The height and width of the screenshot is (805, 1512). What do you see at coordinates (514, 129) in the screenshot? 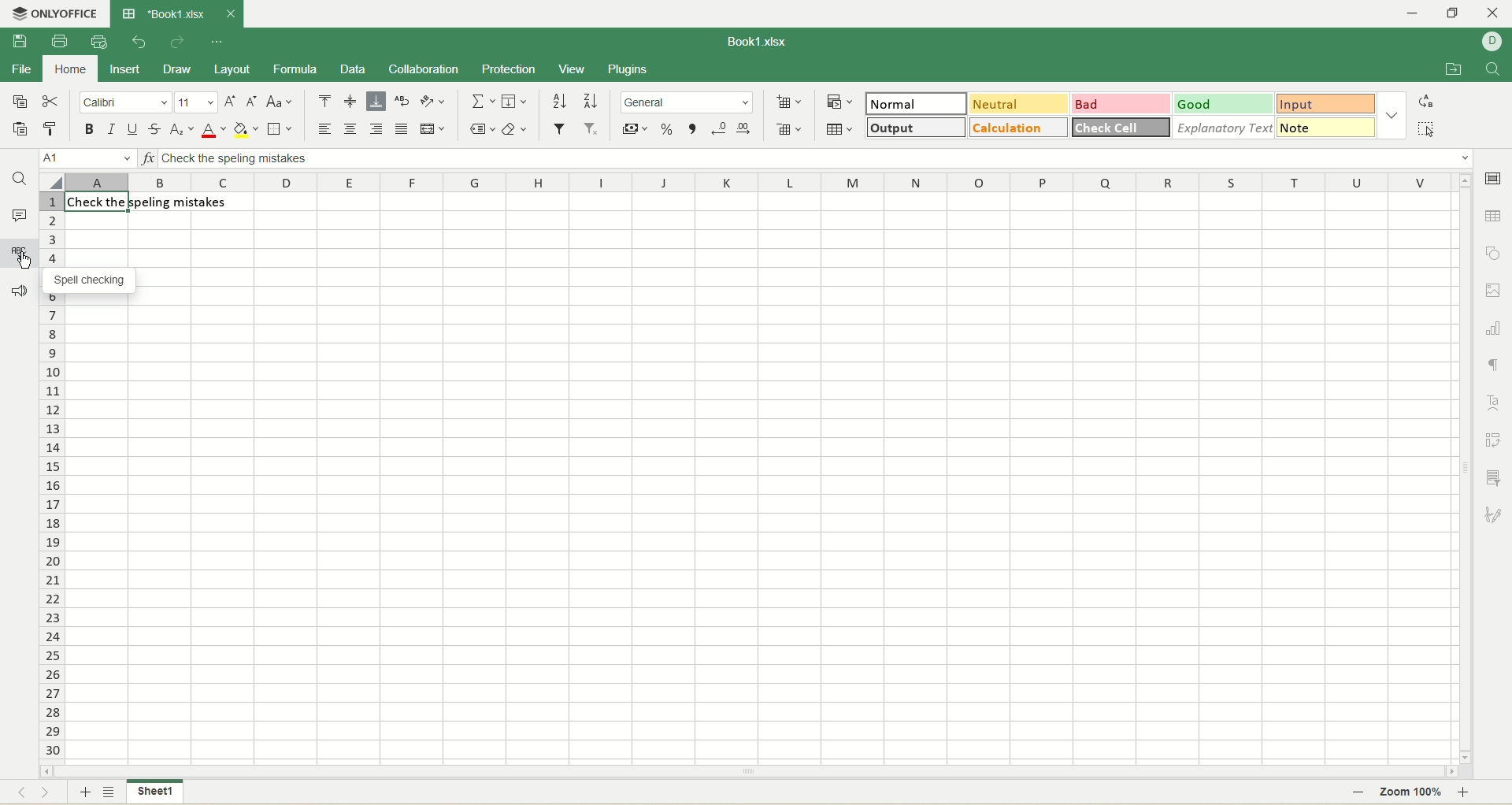
I see `clear` at bounding box center [514, 129].